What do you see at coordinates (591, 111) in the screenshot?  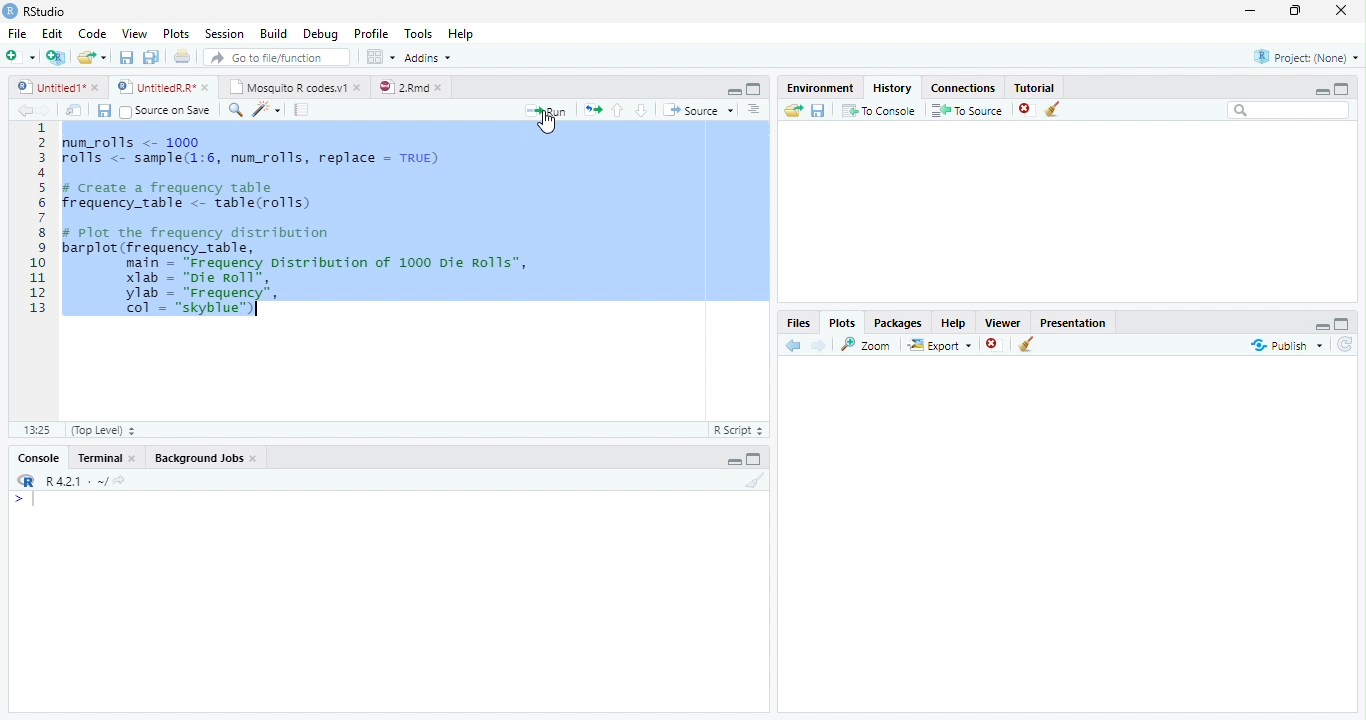 I see `Re run previous code region` at bounding box center [591, 111].